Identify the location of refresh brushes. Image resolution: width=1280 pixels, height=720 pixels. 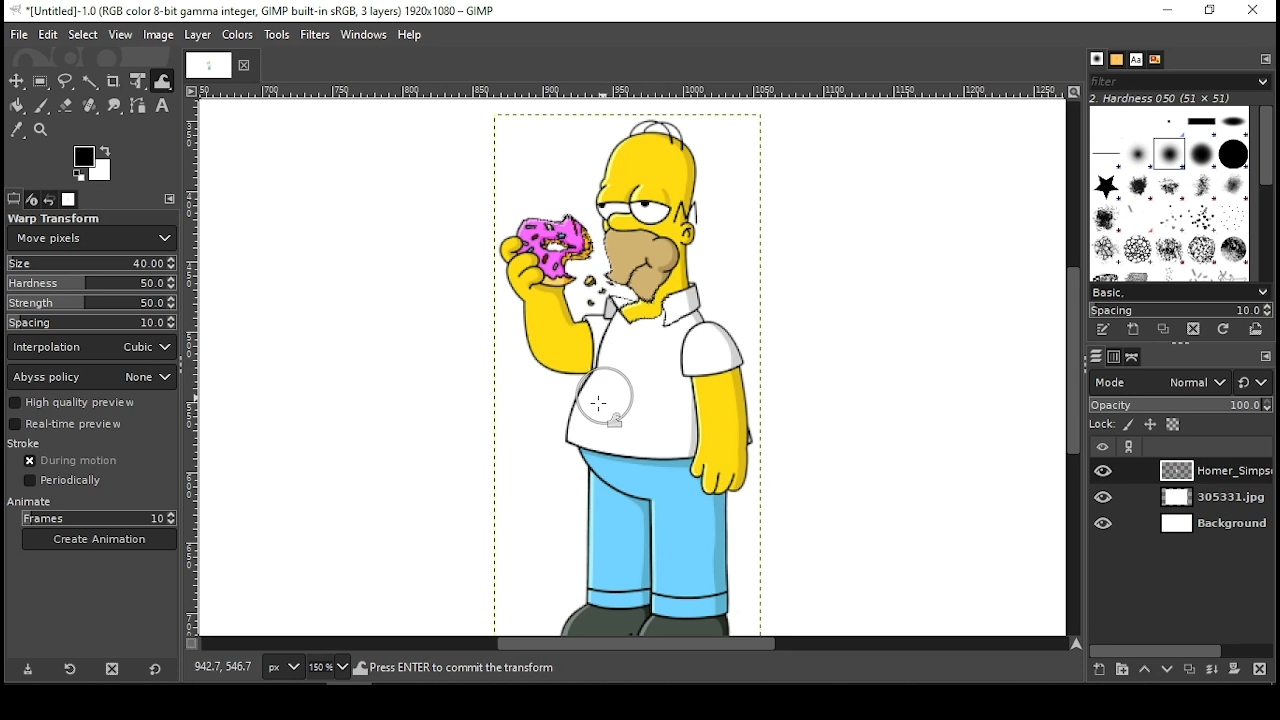
(1226, 329).